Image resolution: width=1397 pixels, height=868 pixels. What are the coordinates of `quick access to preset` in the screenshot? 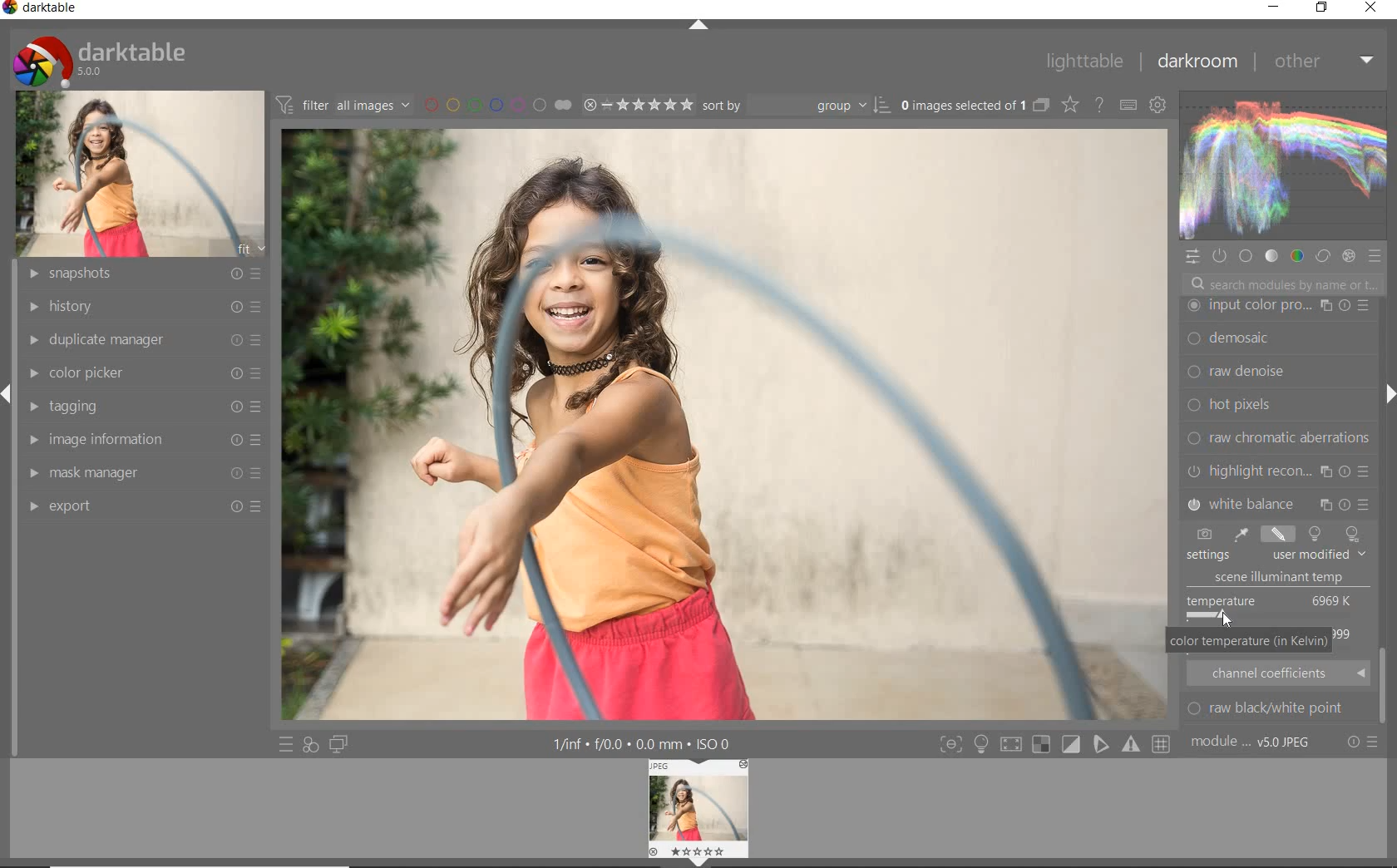 It's located at (286, 743).